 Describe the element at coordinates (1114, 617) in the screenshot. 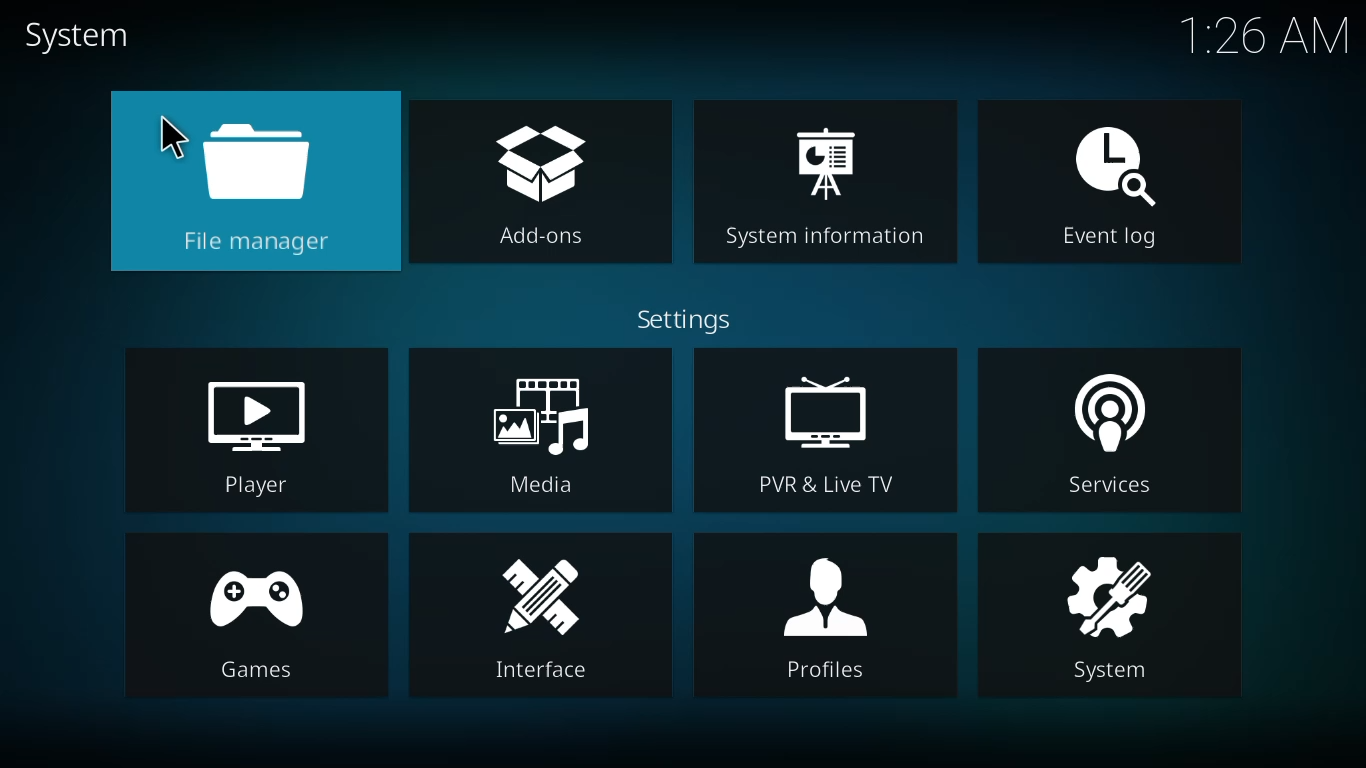

I see `system` at that location.